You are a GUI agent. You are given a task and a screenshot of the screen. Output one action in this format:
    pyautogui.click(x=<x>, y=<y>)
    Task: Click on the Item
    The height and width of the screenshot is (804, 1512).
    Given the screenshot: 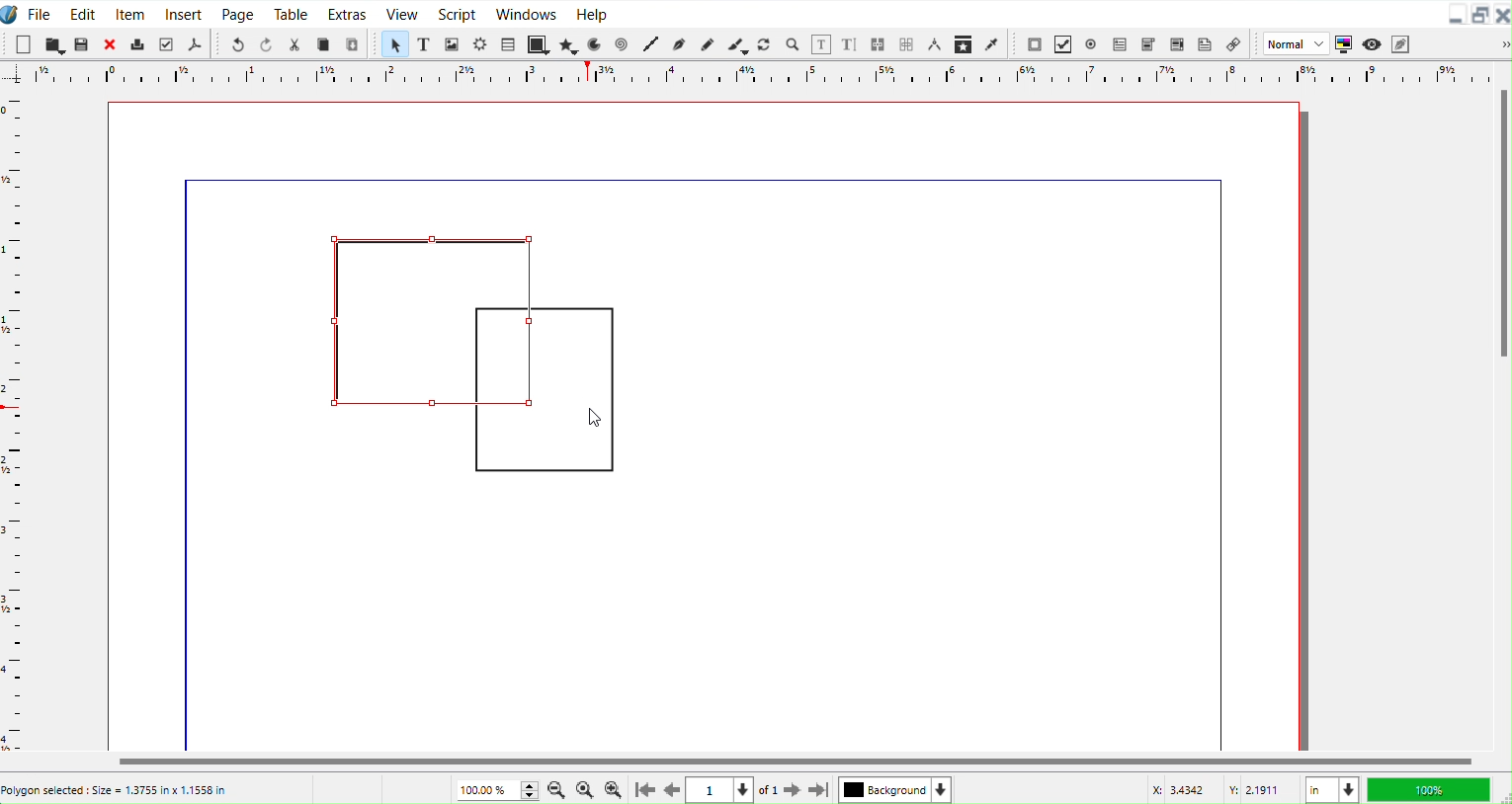 What is the action you would take?
    pyautogui.click(x=129, y=12)
    